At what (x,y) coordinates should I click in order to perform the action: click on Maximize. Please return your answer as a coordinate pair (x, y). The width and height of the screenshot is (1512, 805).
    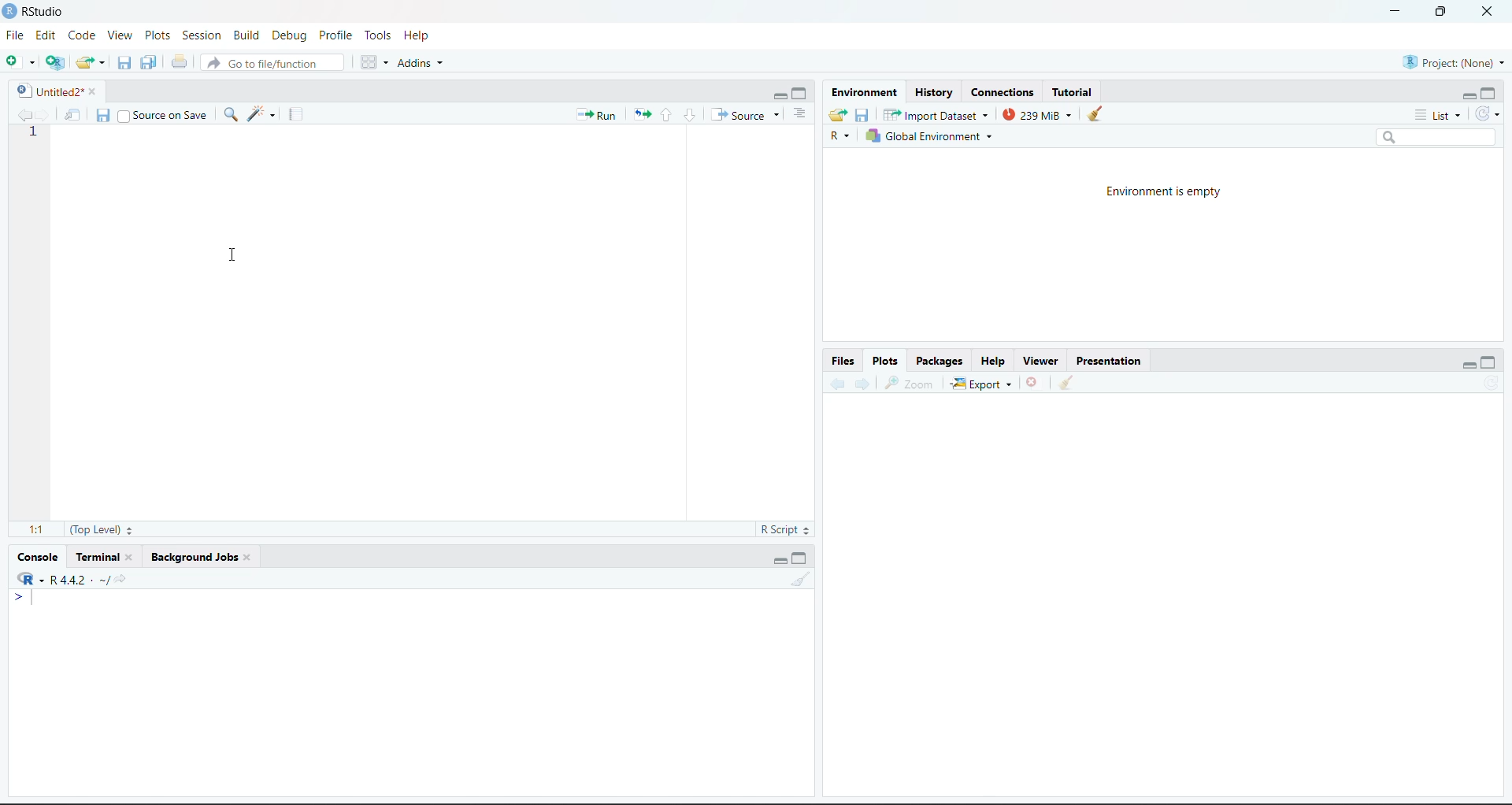
    Looking at the image, I should click on (1492, 362).